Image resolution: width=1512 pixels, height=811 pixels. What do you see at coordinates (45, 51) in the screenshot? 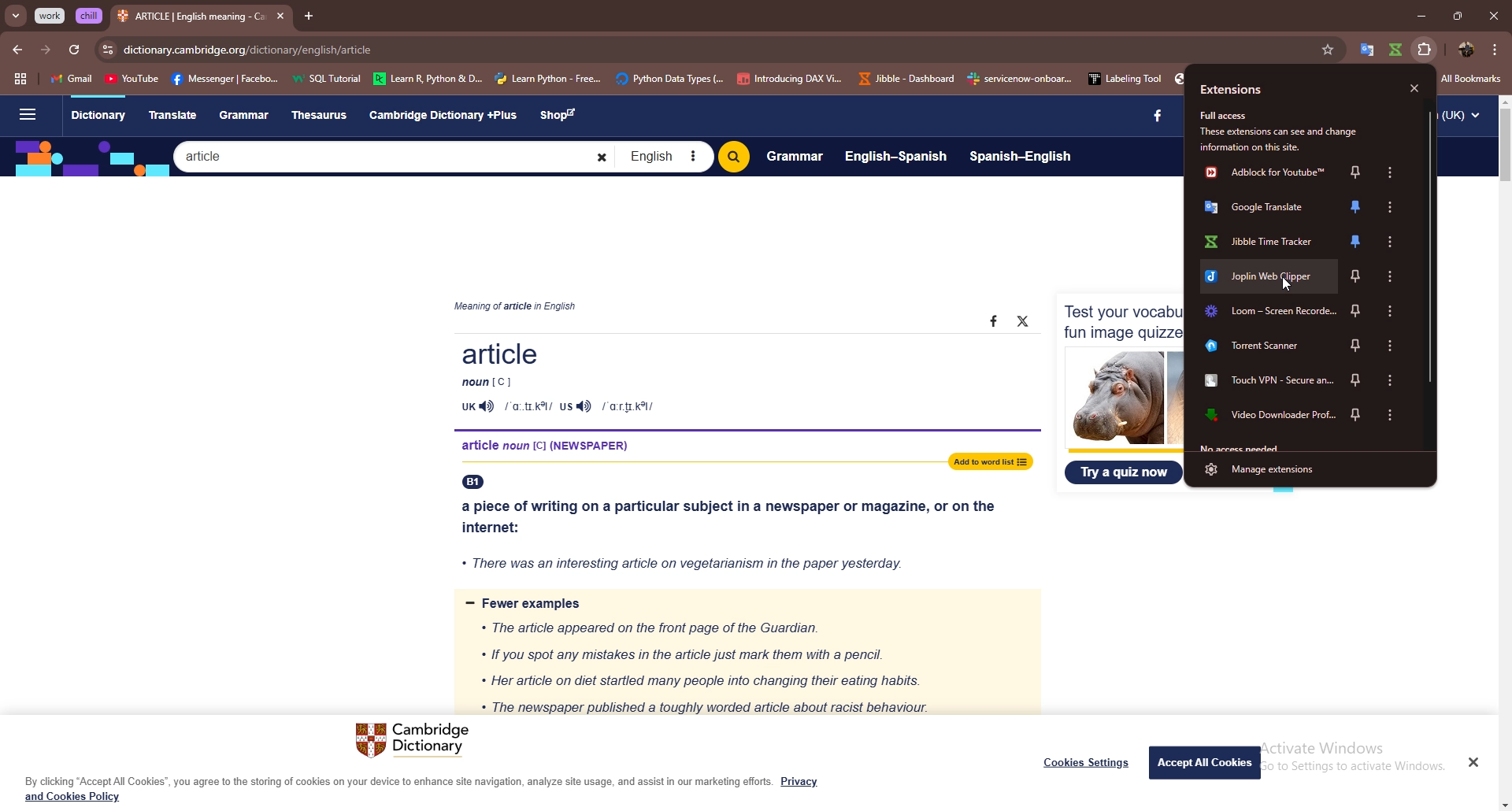
I see `forward` at bounding box center [45, 51].